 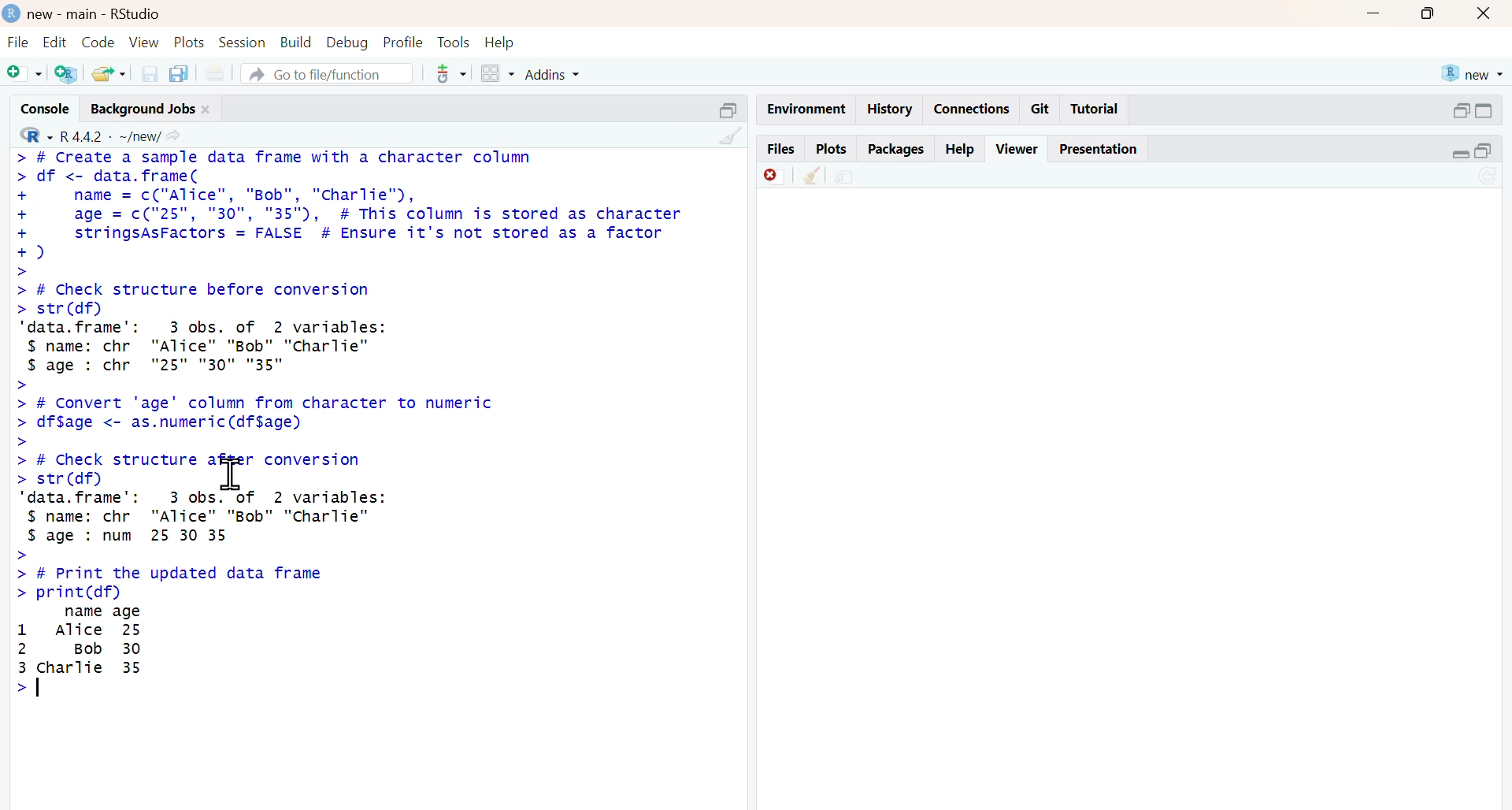 What do you see at coordinates (898, 150) in the screenshot?
I see `packages` at bounding box center [898, 150].